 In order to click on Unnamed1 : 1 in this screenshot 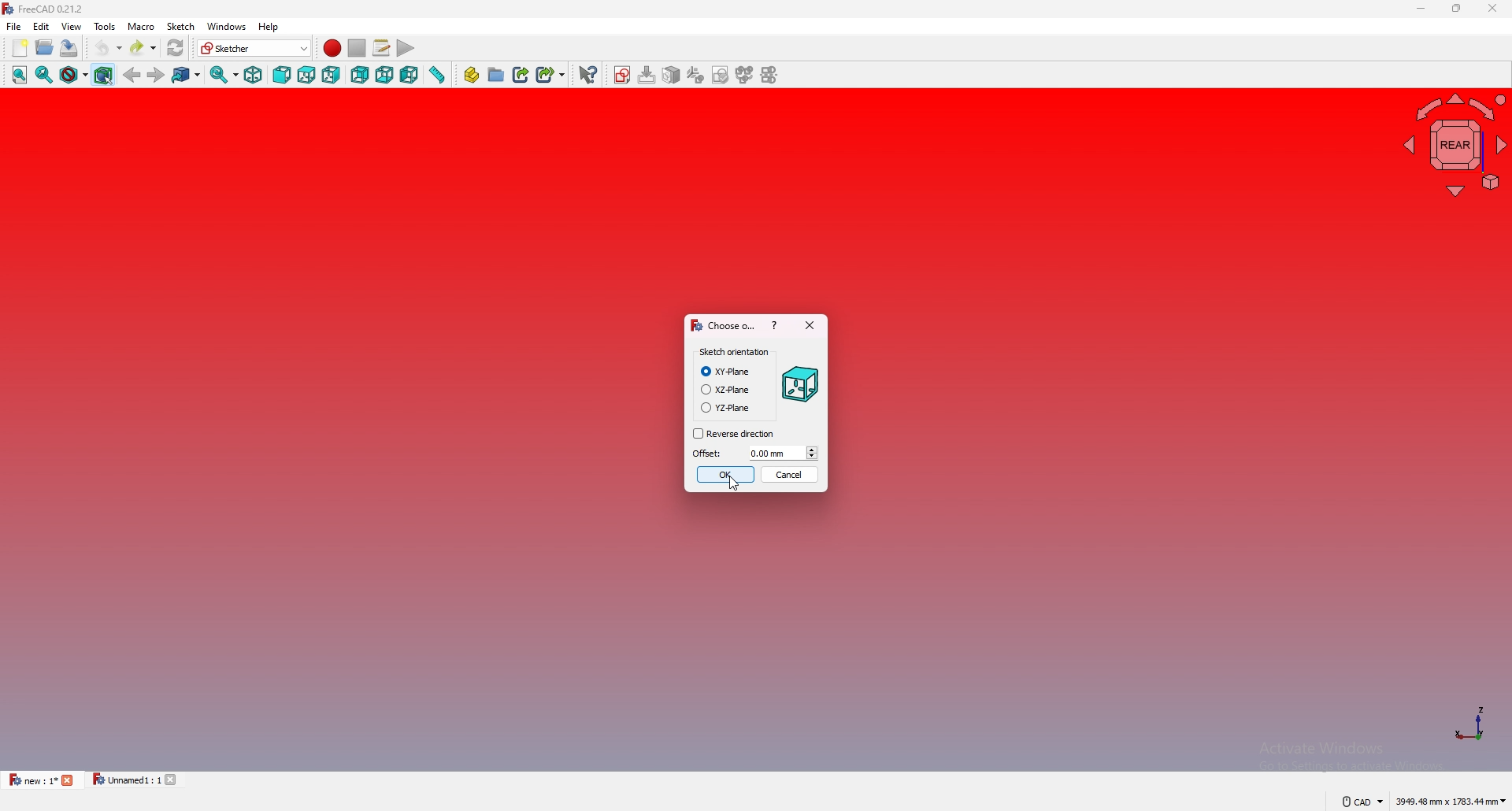, I will do `click(125, 780)`.